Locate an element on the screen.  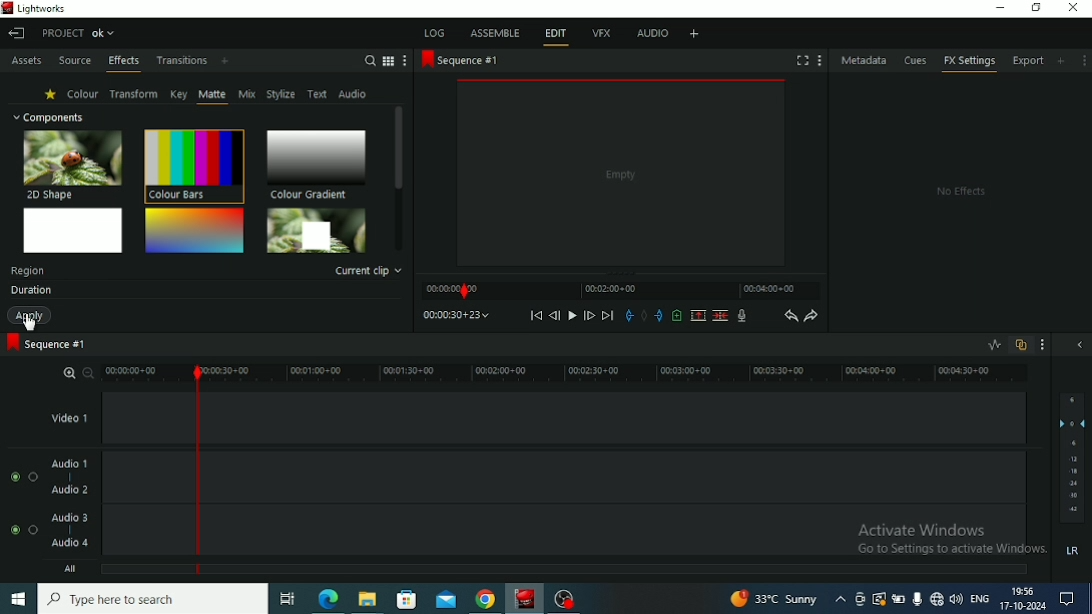
Toggle audio level editing is located at coordinates (994, 344).